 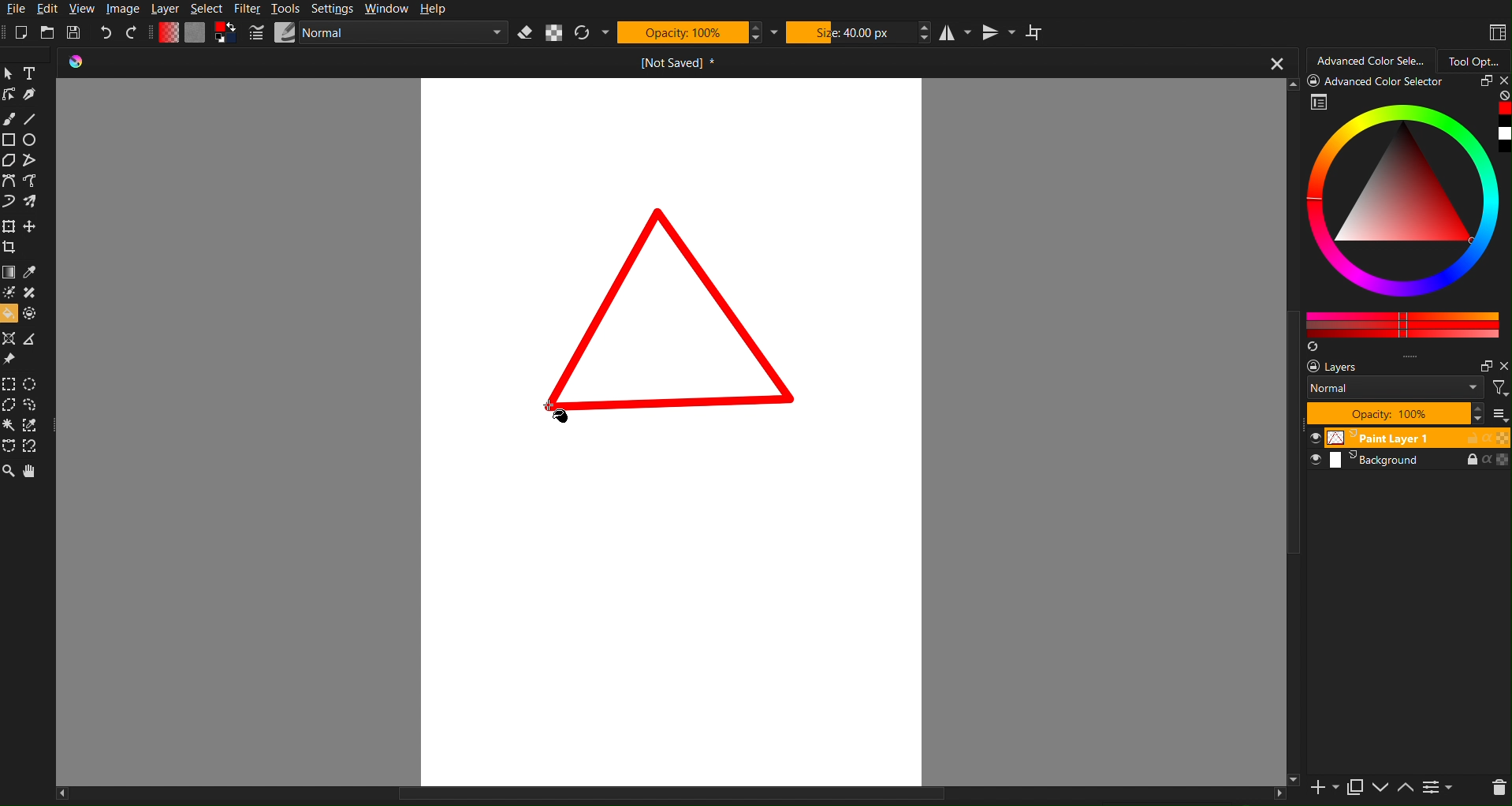 I want to click on Horizontal Mirror, so click(x=956, y=32).